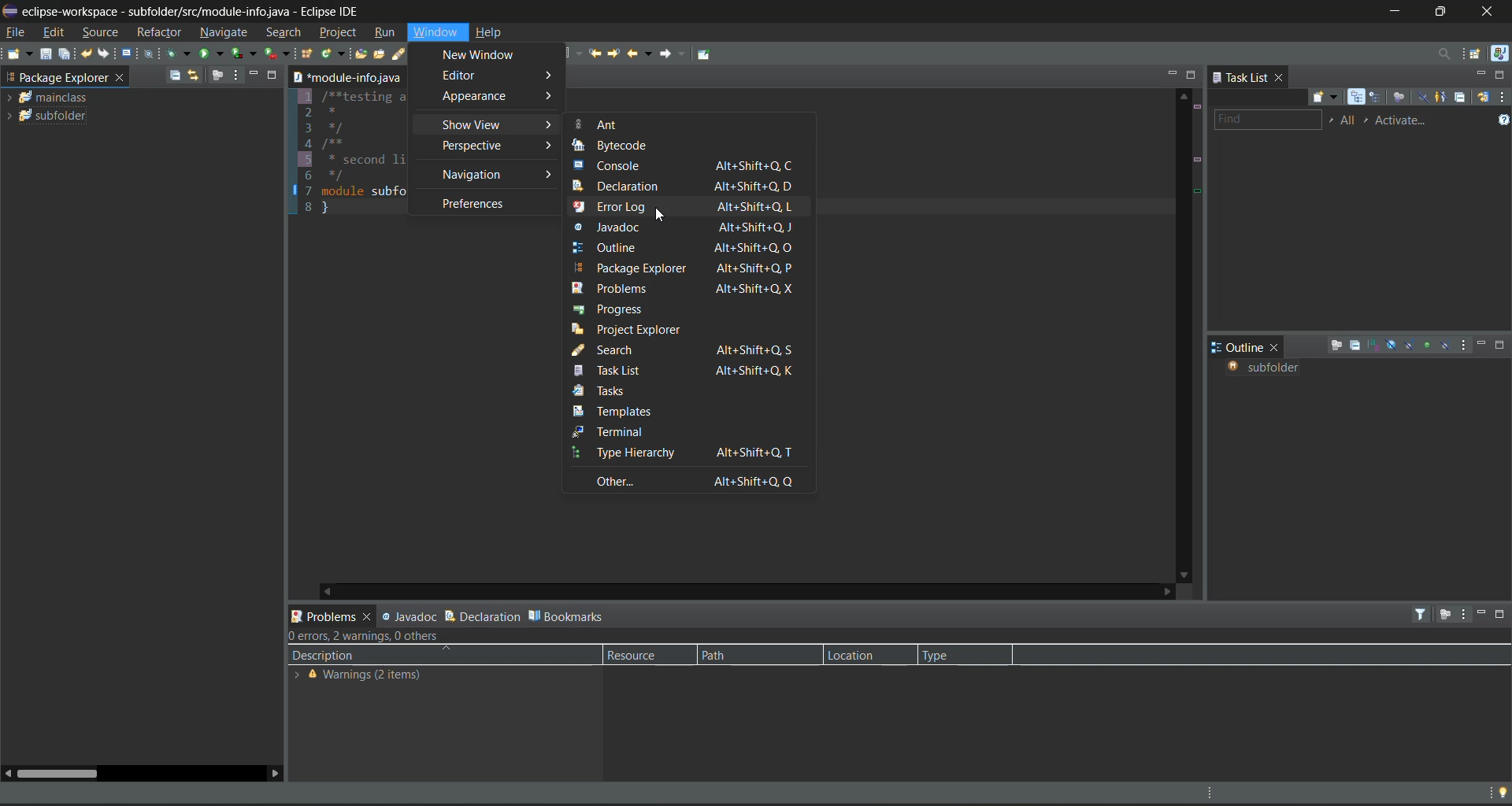 This screenshot has width=1512, height=806. I want to click on open task, so click(383, 54).